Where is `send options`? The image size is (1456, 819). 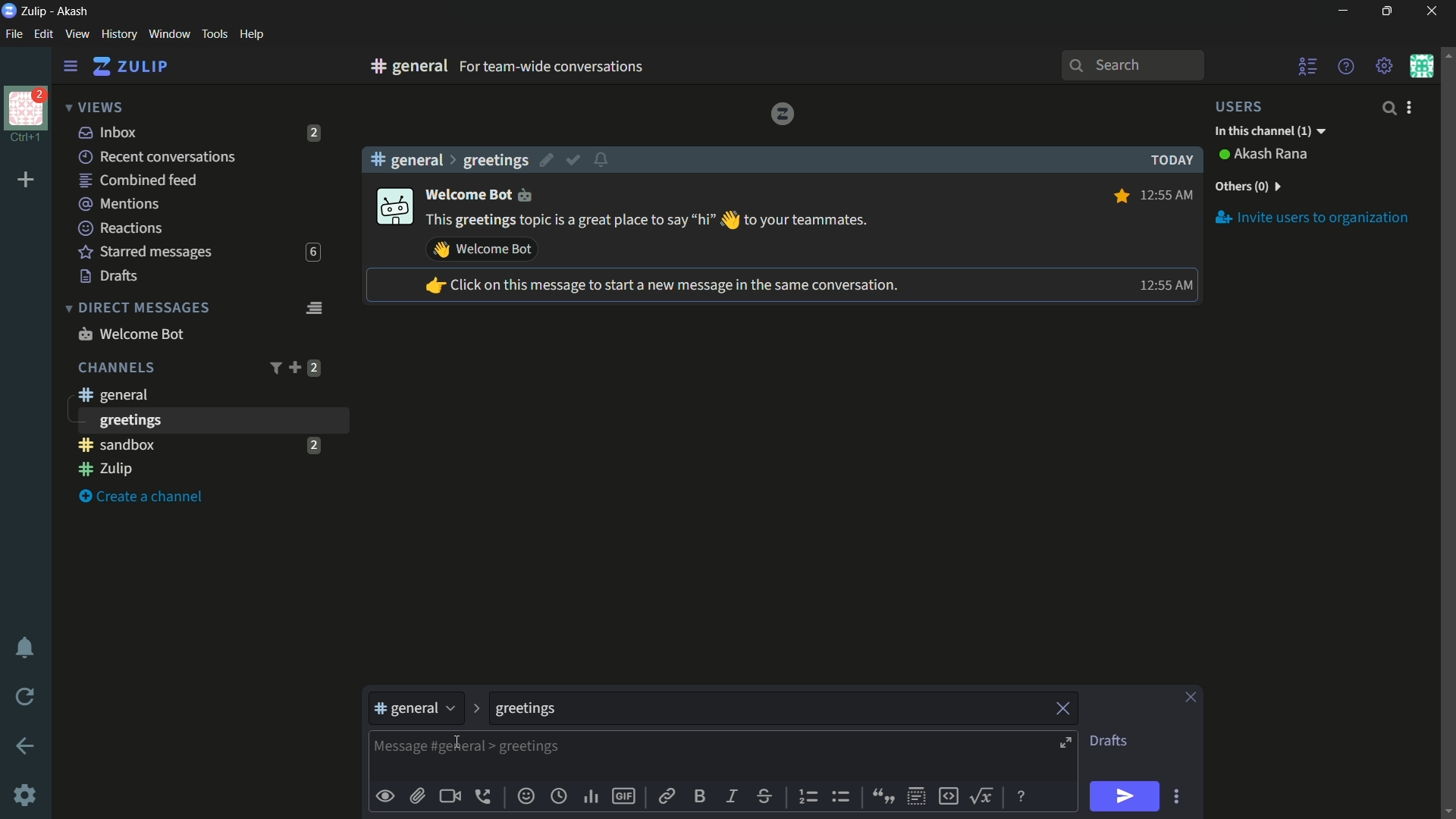 send options is located at coordinates (1176, 797).